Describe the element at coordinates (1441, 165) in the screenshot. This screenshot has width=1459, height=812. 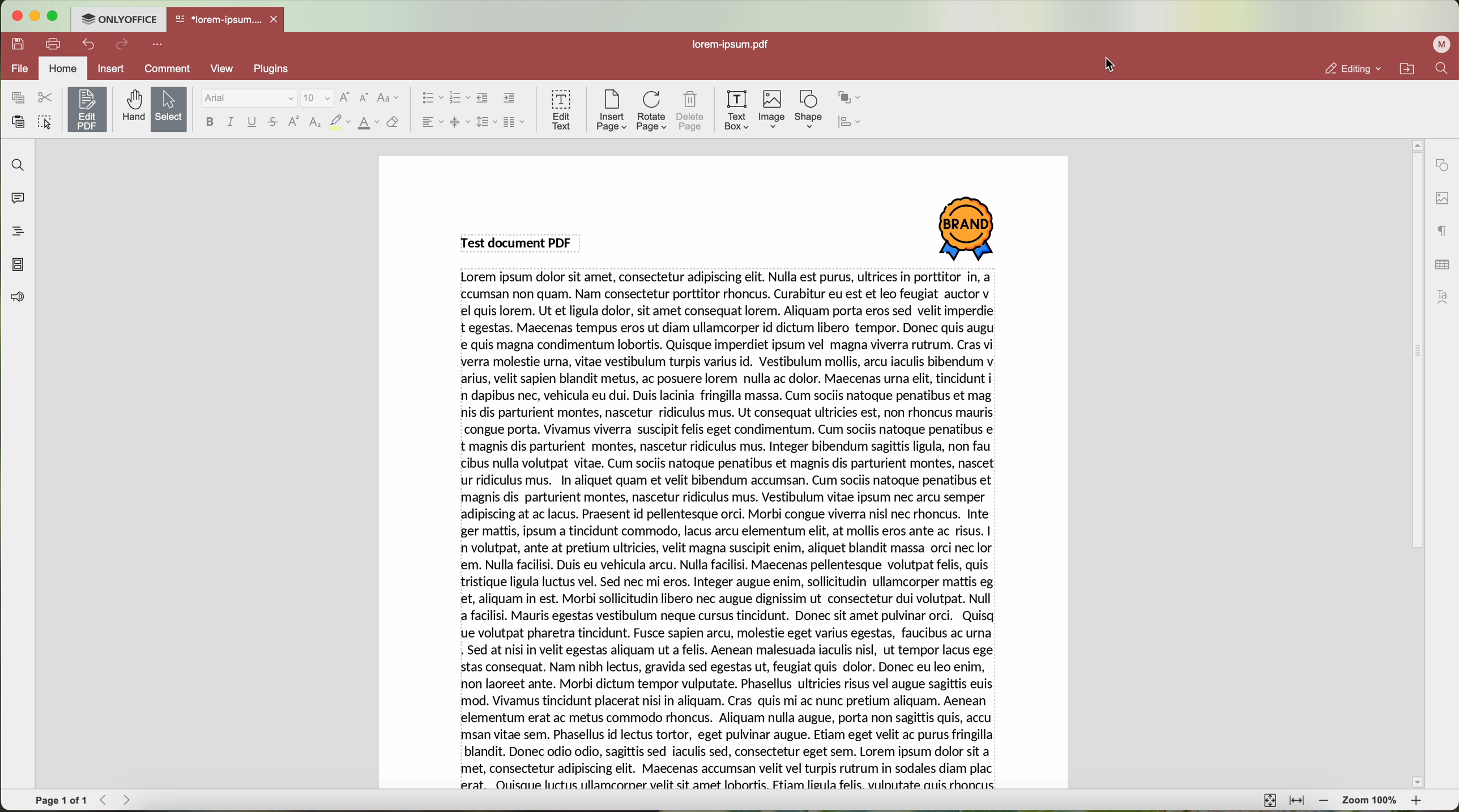
I see `shape settings` at that location.